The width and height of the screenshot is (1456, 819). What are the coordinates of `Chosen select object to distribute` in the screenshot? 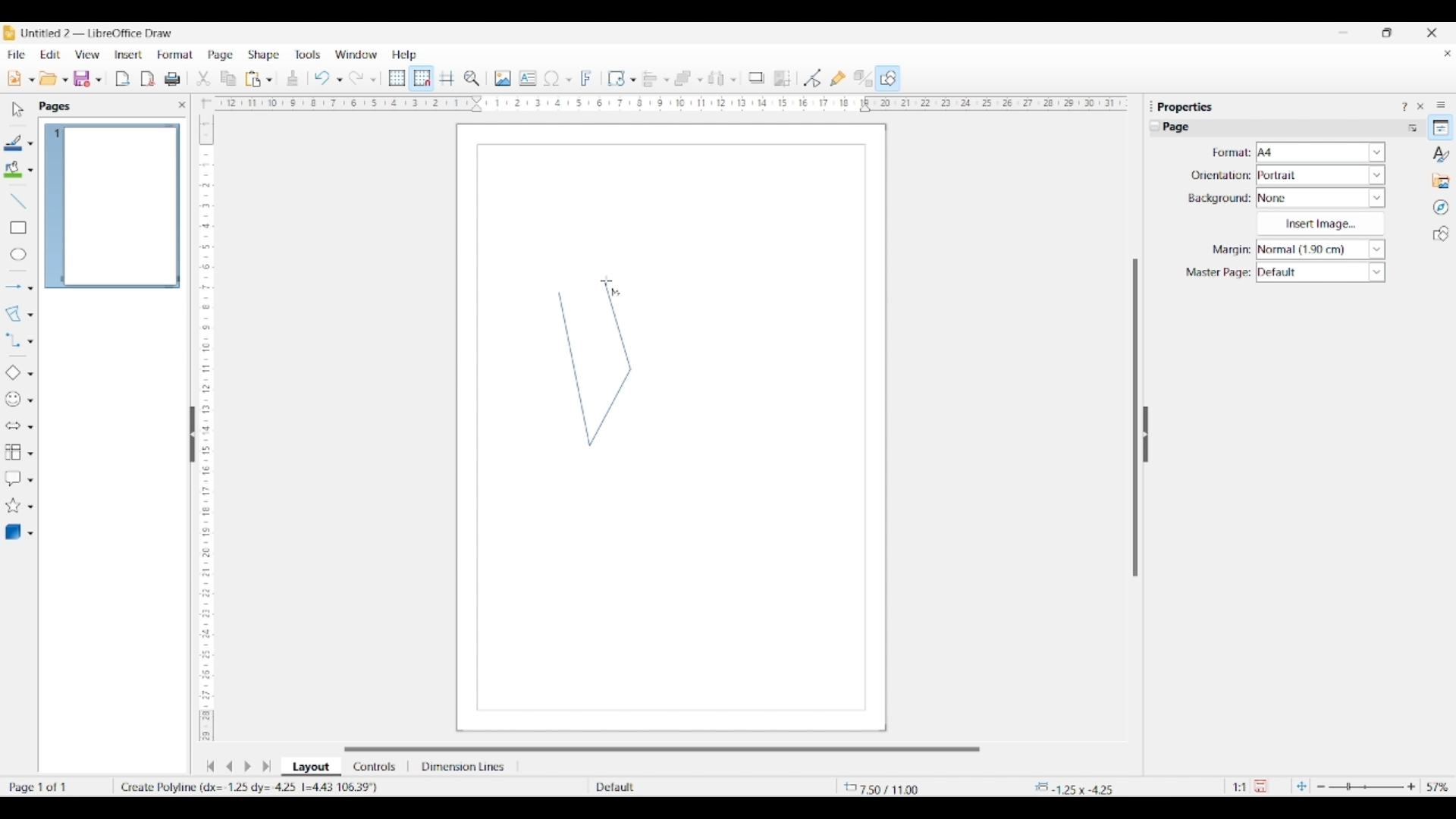 It's located at (717, 78).